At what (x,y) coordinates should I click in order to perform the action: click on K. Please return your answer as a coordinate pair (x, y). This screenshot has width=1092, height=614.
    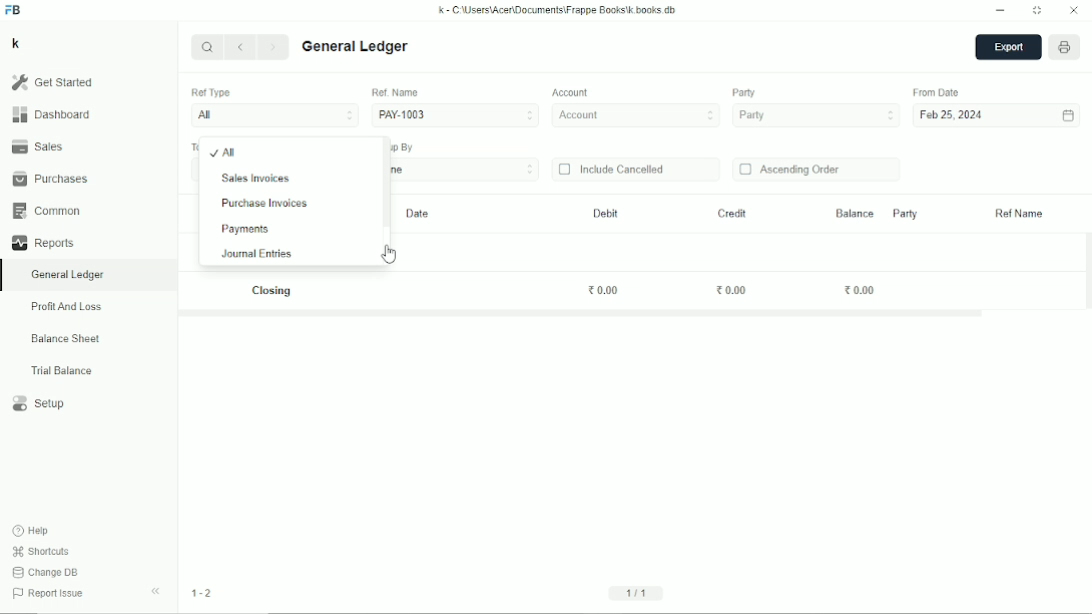
    Looking at the image, I should click on (16, 43).